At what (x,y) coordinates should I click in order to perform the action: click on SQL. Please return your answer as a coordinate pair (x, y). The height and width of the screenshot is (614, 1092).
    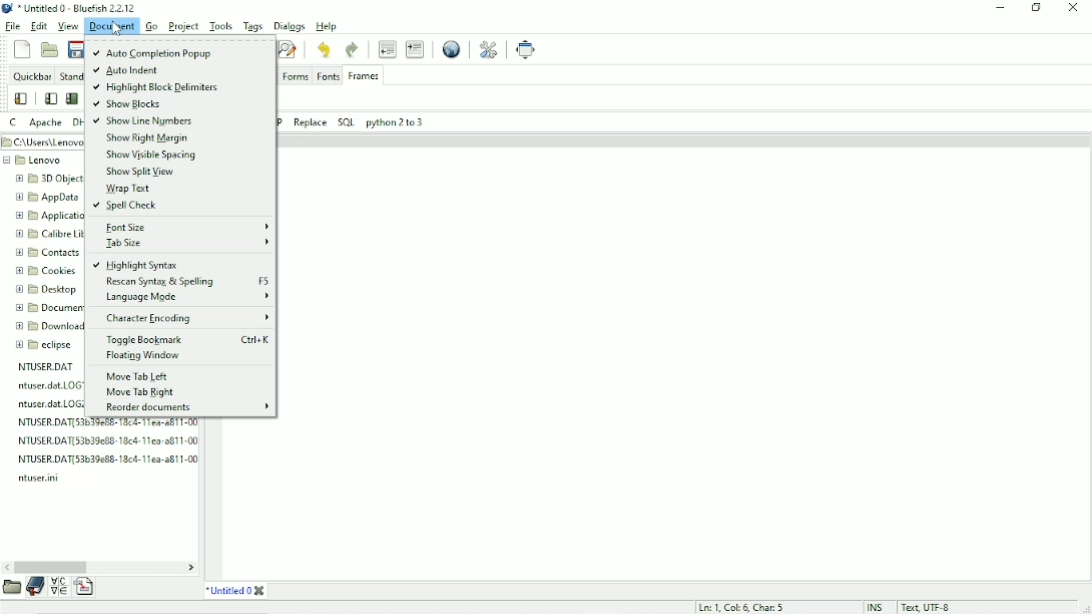
    Looking at the image, I should click on (345, 120).